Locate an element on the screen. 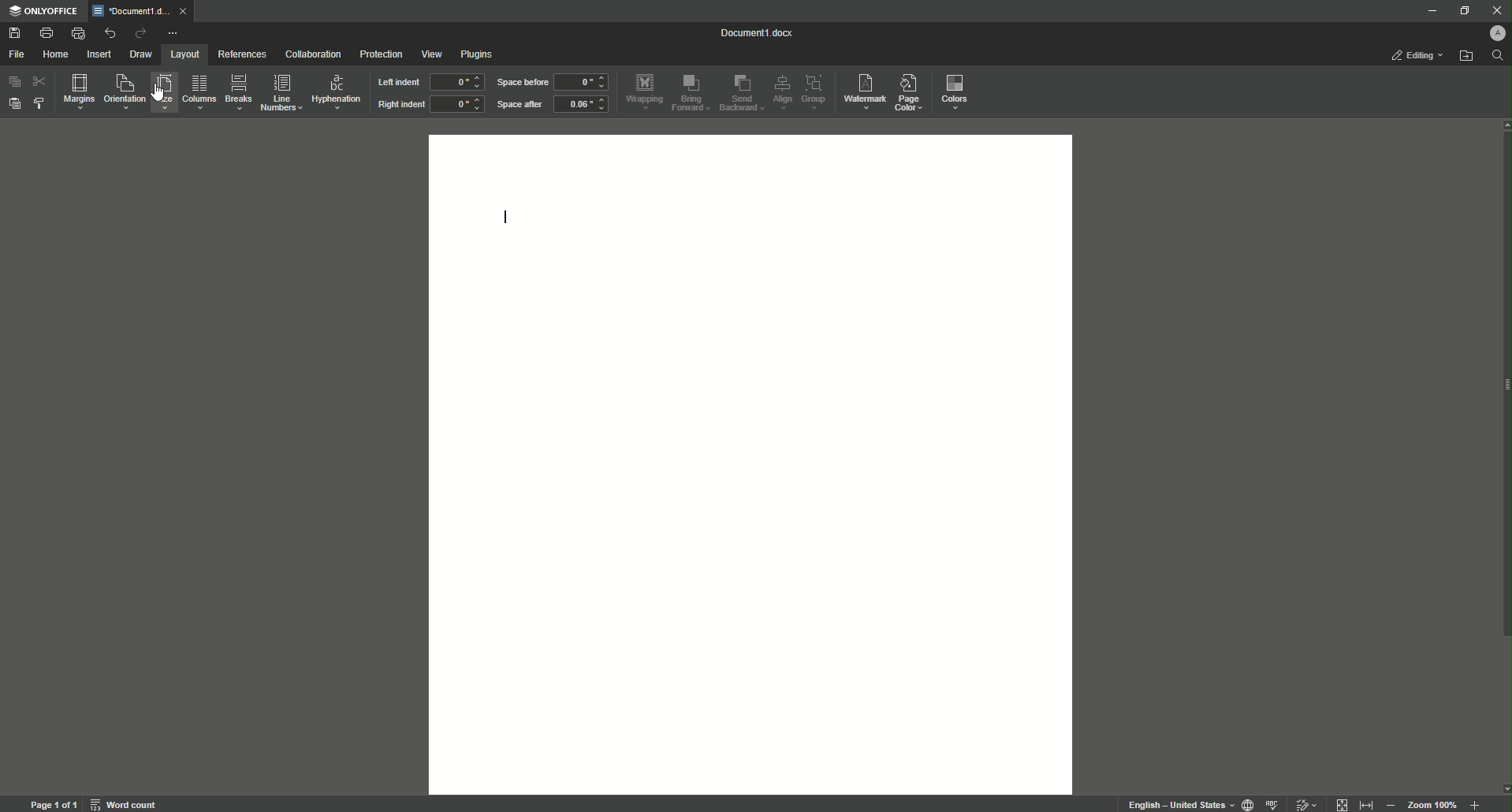 The width and height of the screenshot is (1512, 812). Line Numbers is located at coordinates (281, 94).